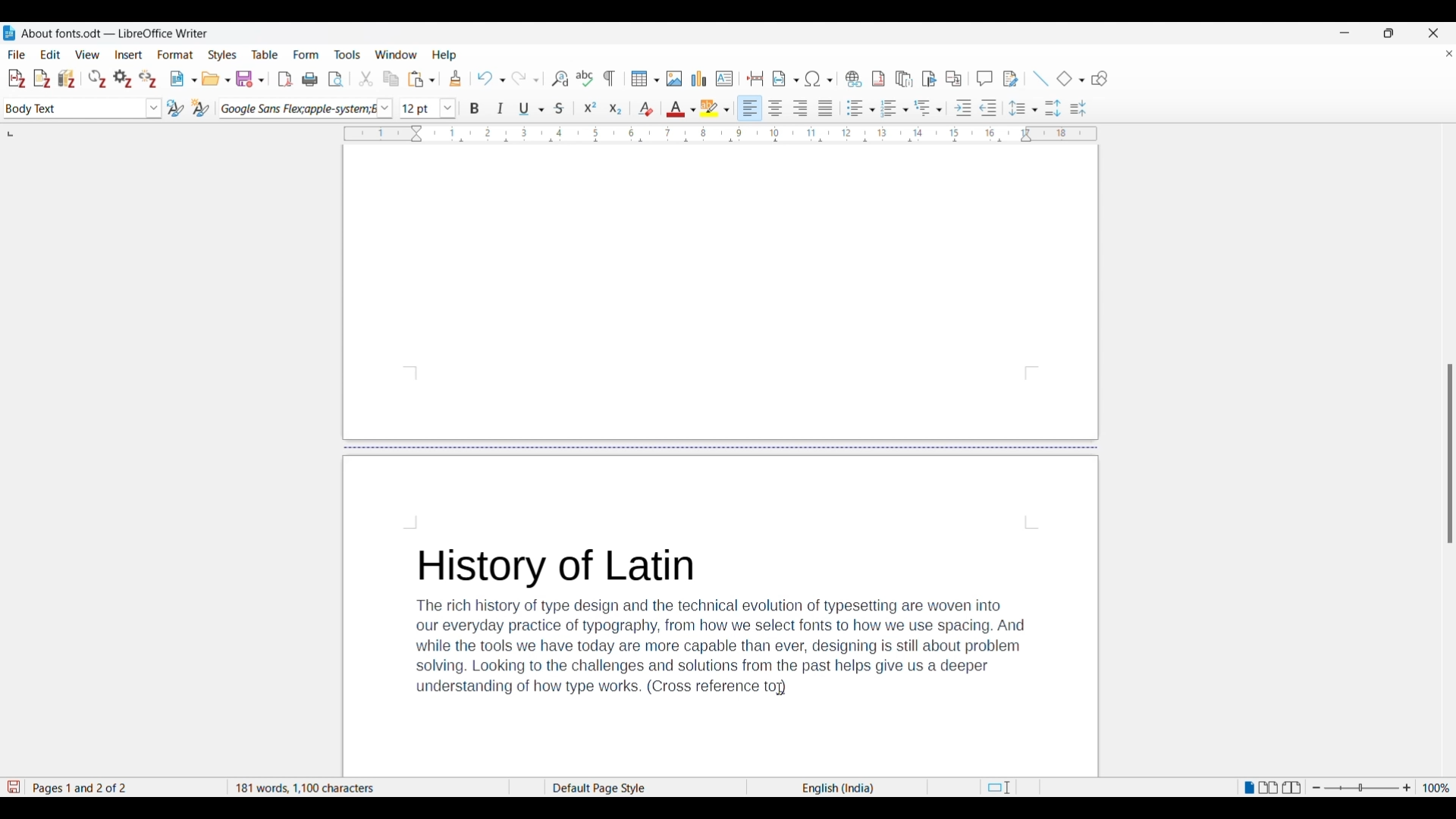 The image size is (1456, 819). Describe the element at coordinates (1389, 33) in the screenshot. I see `Show interface in a smaller tab` at that location.